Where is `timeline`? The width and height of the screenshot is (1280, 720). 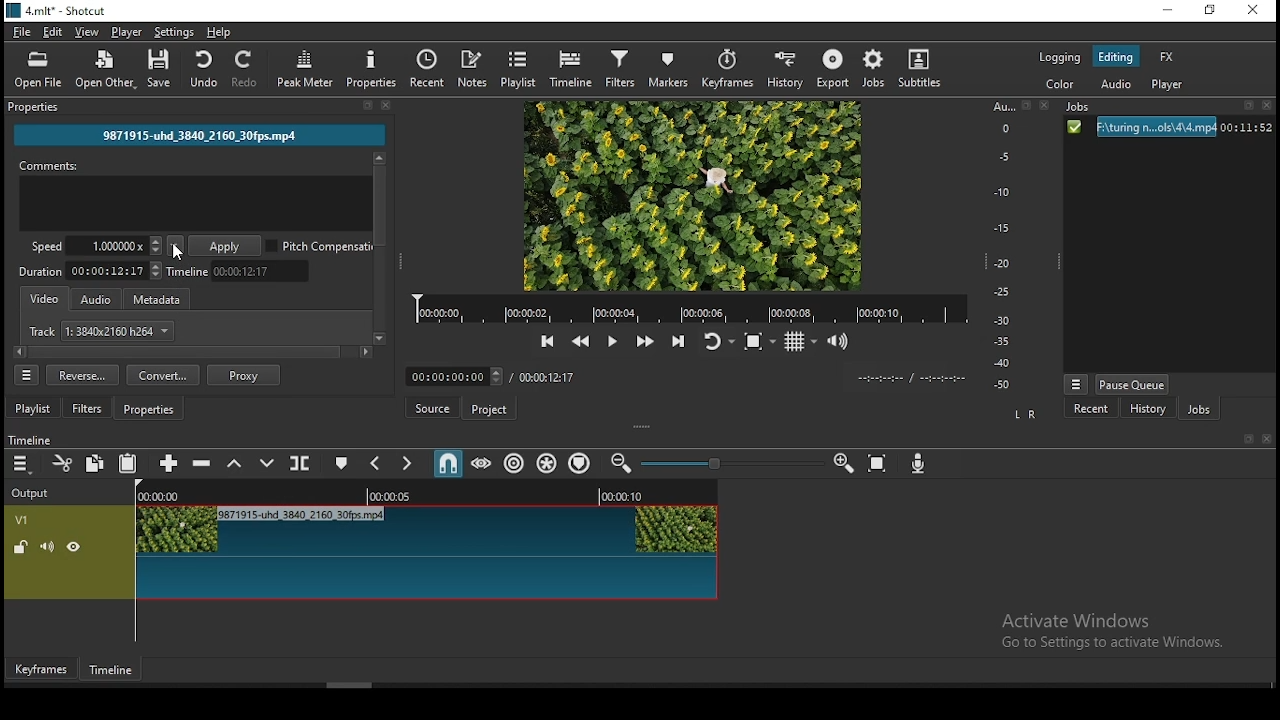 timeline is located at coordinates (574, 67).